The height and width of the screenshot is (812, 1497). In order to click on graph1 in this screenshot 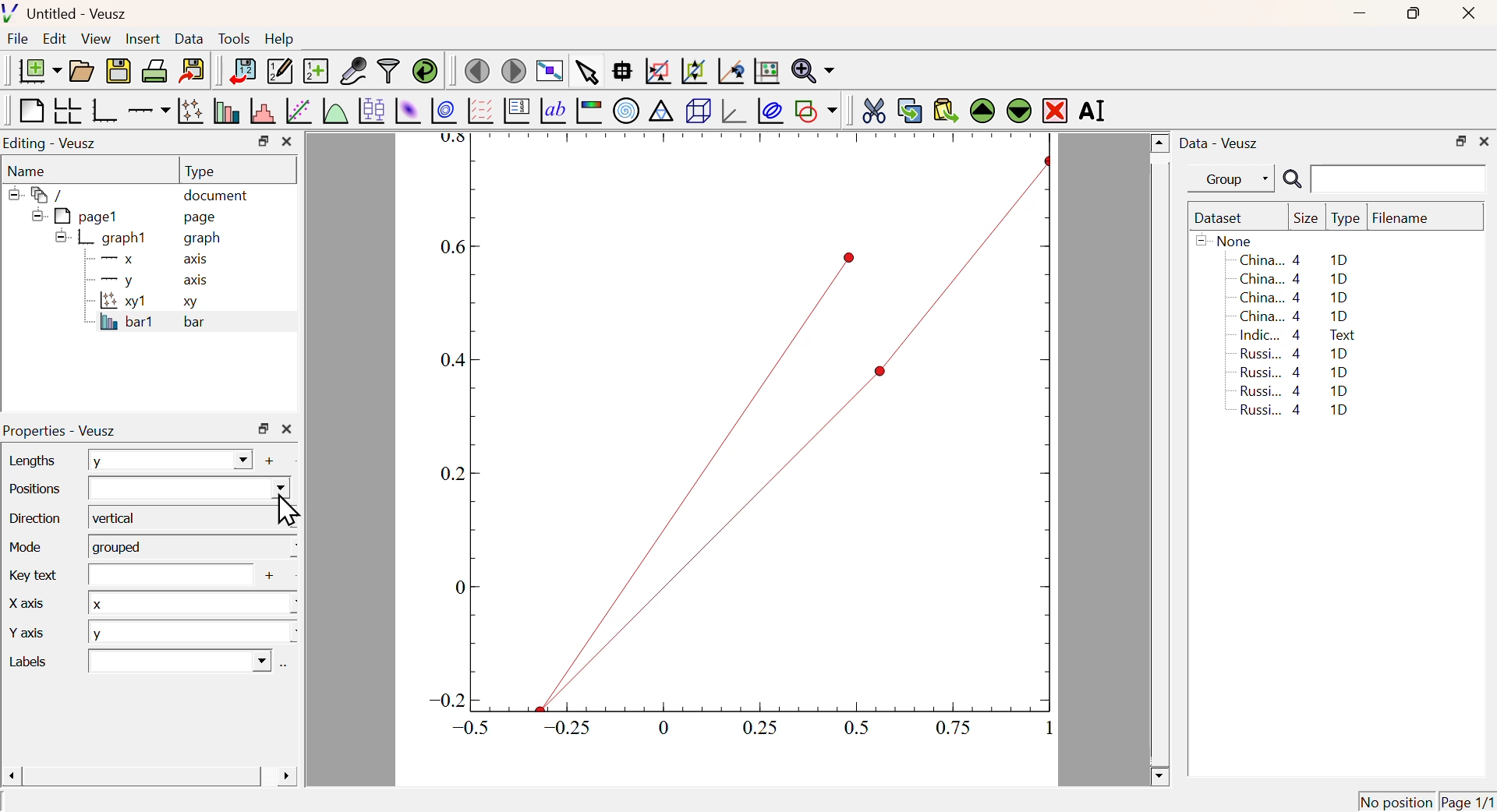, I will do `click(103, 237)`.